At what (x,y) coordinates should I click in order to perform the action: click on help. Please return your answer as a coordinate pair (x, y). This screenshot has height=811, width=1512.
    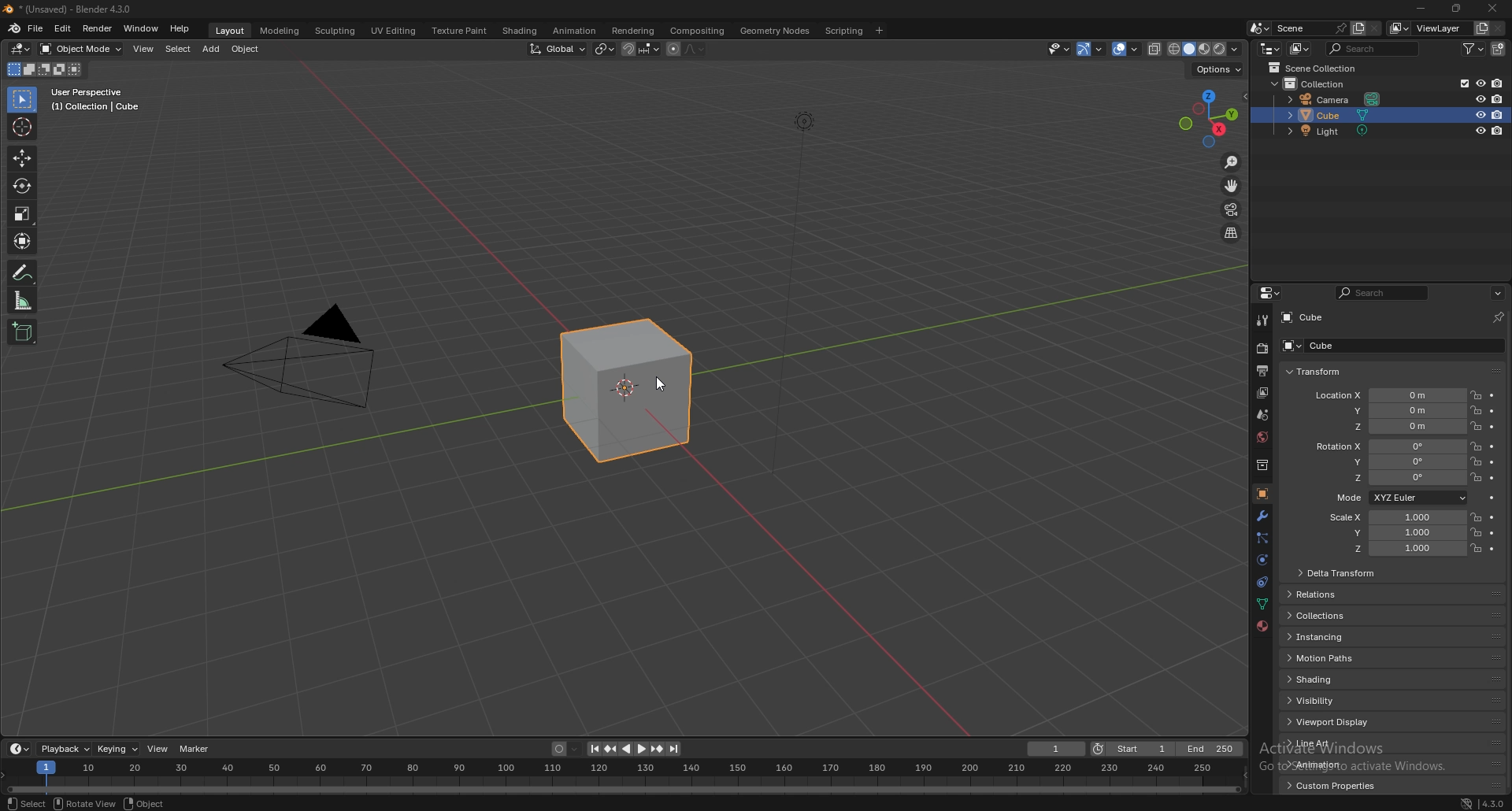
    Looking at the image, I should click on (180, 29).